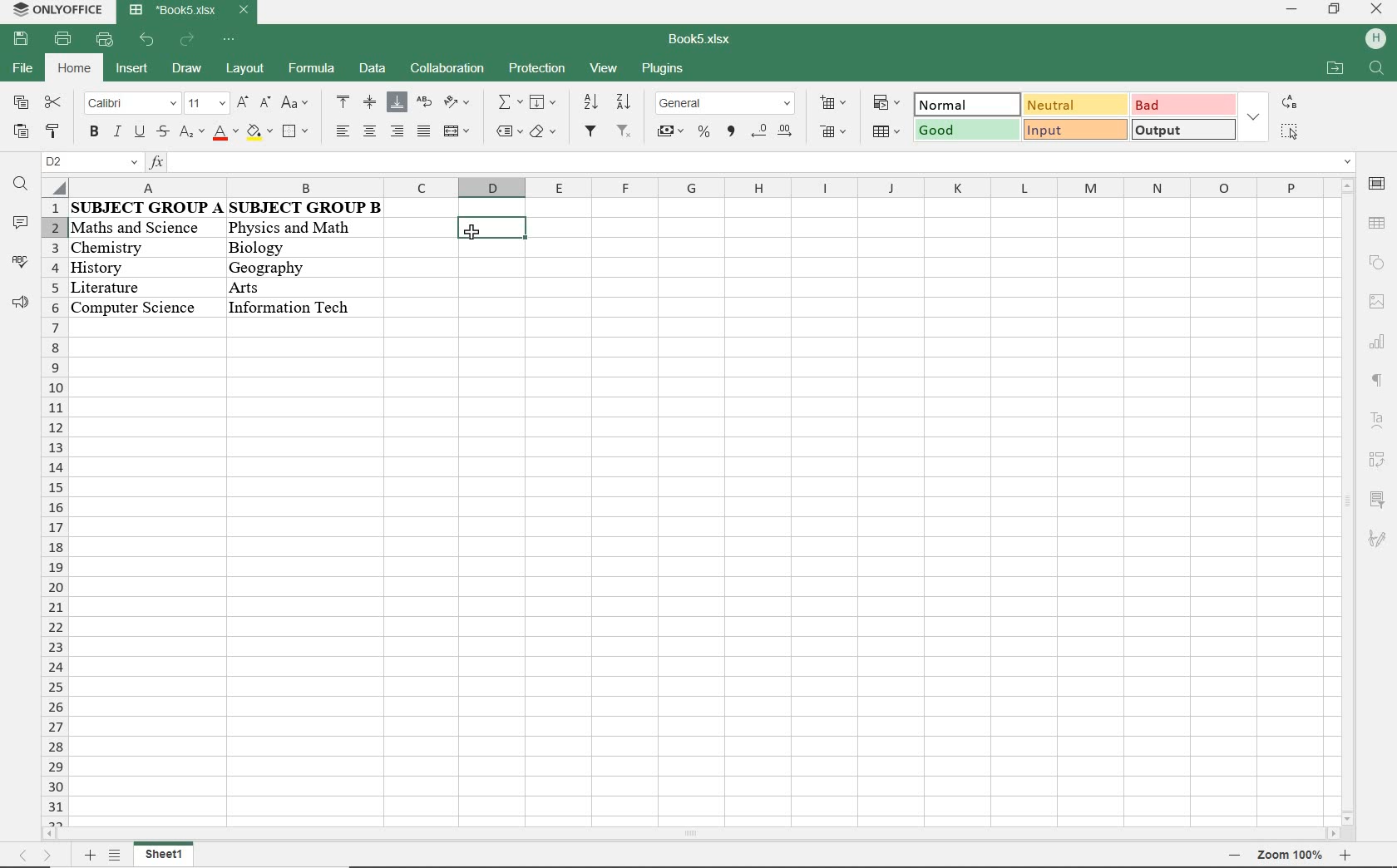  Describe the element at coordinates (1380, 341) in the screenshot. I see `chart` at that location.